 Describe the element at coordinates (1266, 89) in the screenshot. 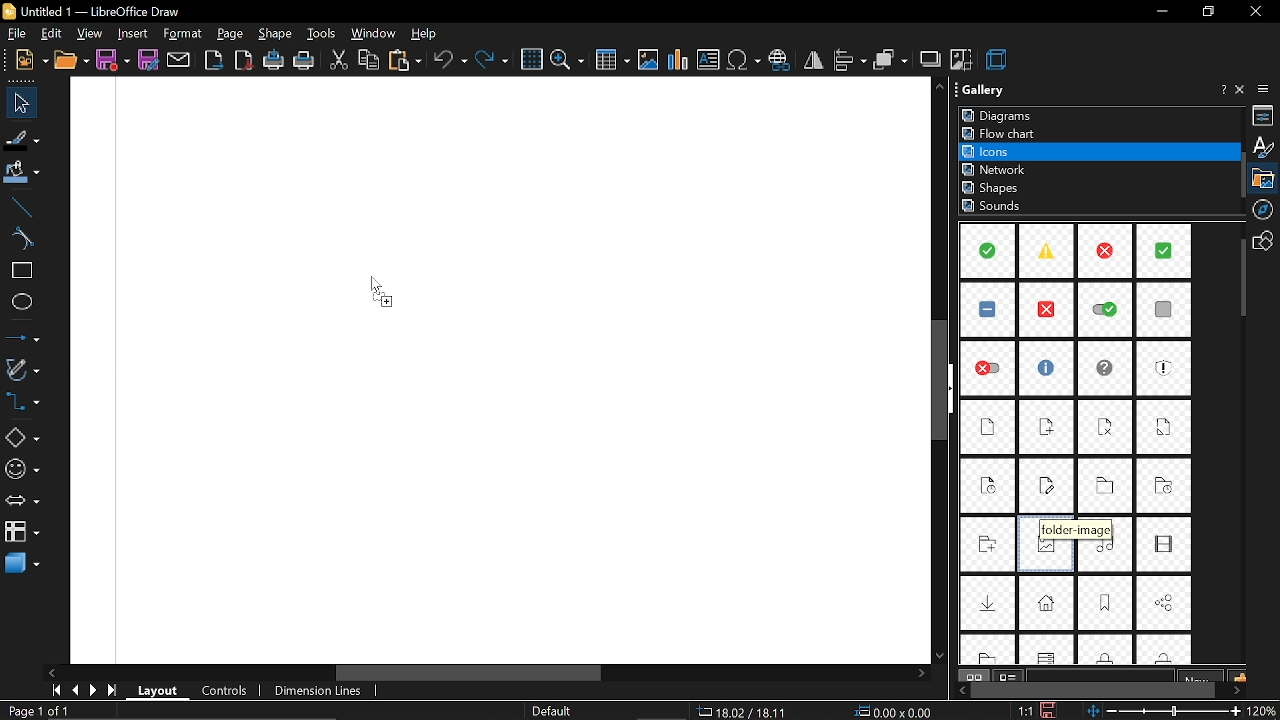

I see `sidebar settings` at that location.